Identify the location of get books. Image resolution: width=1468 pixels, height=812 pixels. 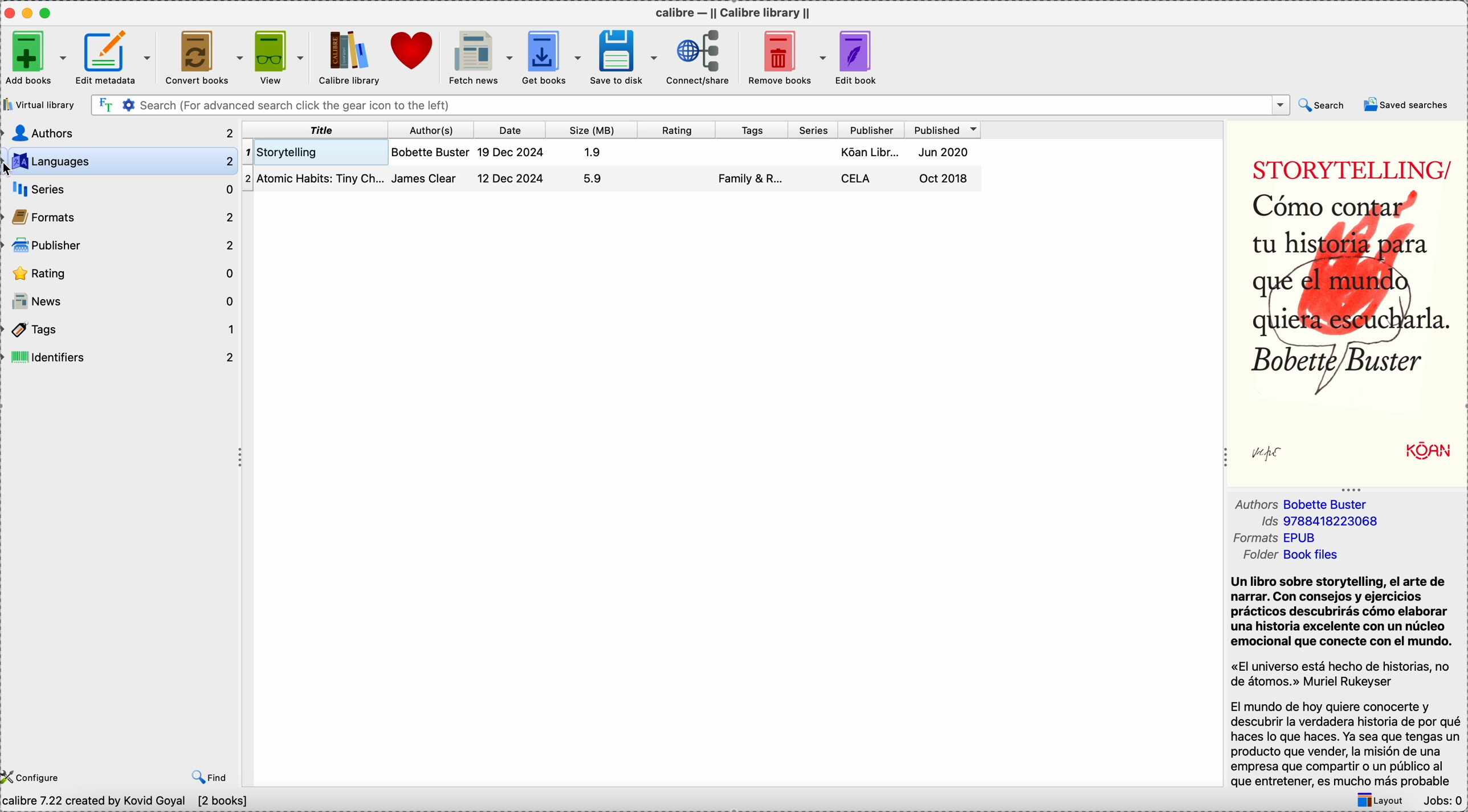
(553, 58).